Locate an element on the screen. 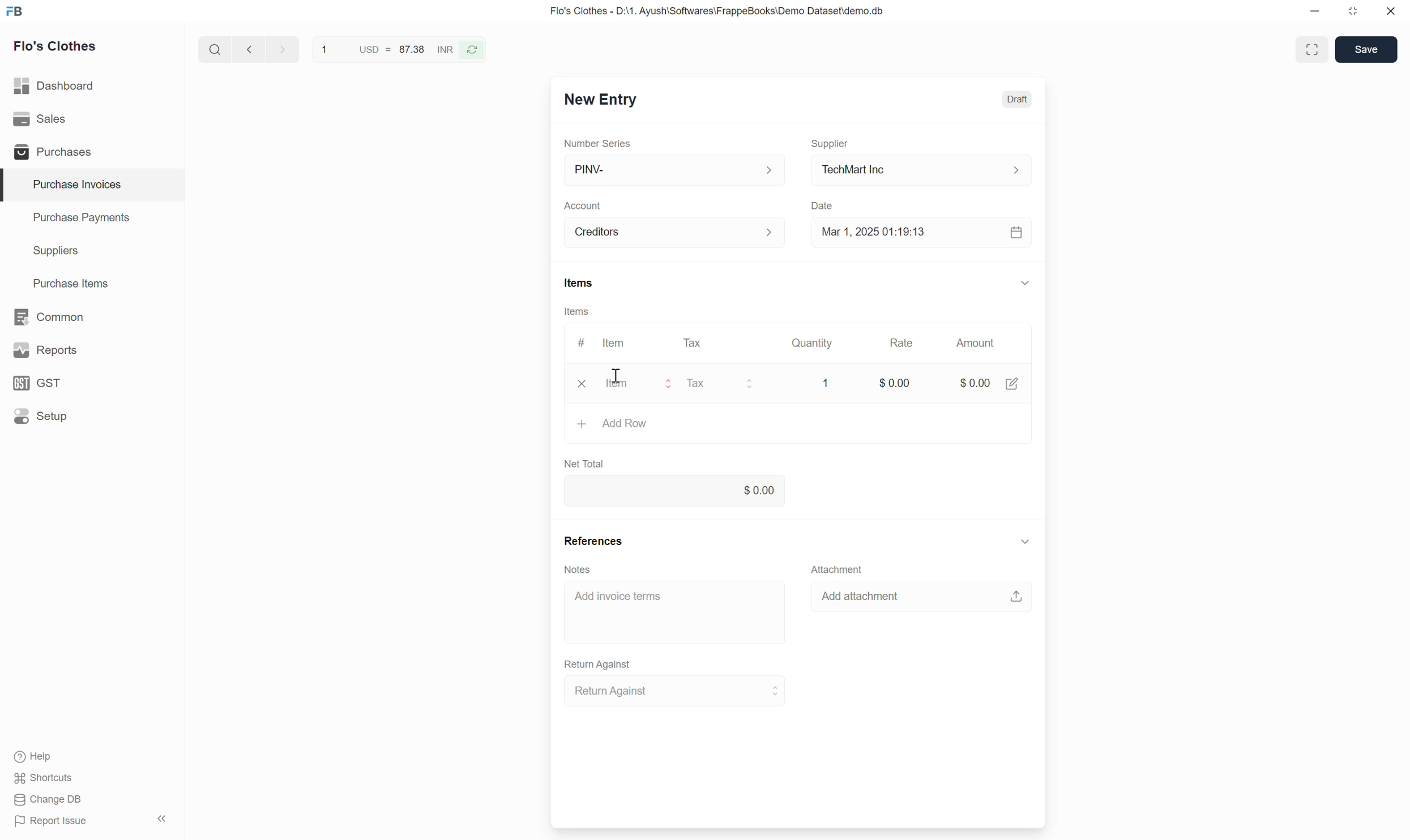 This screenshot has width=1410, height=840. Date is located at coordinates (824, 203).